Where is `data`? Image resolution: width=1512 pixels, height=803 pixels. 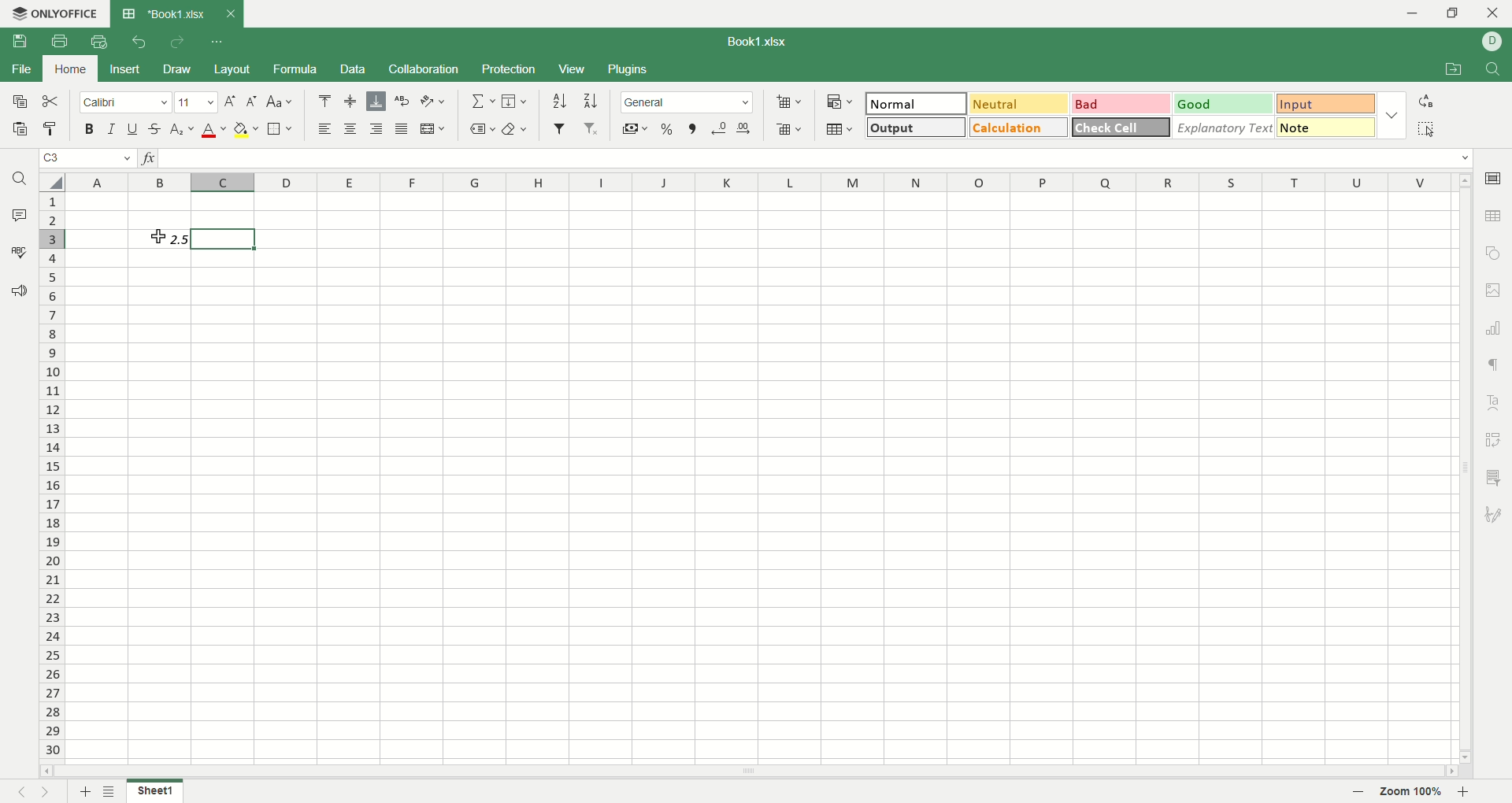
data is located at coordinates (355, 69).